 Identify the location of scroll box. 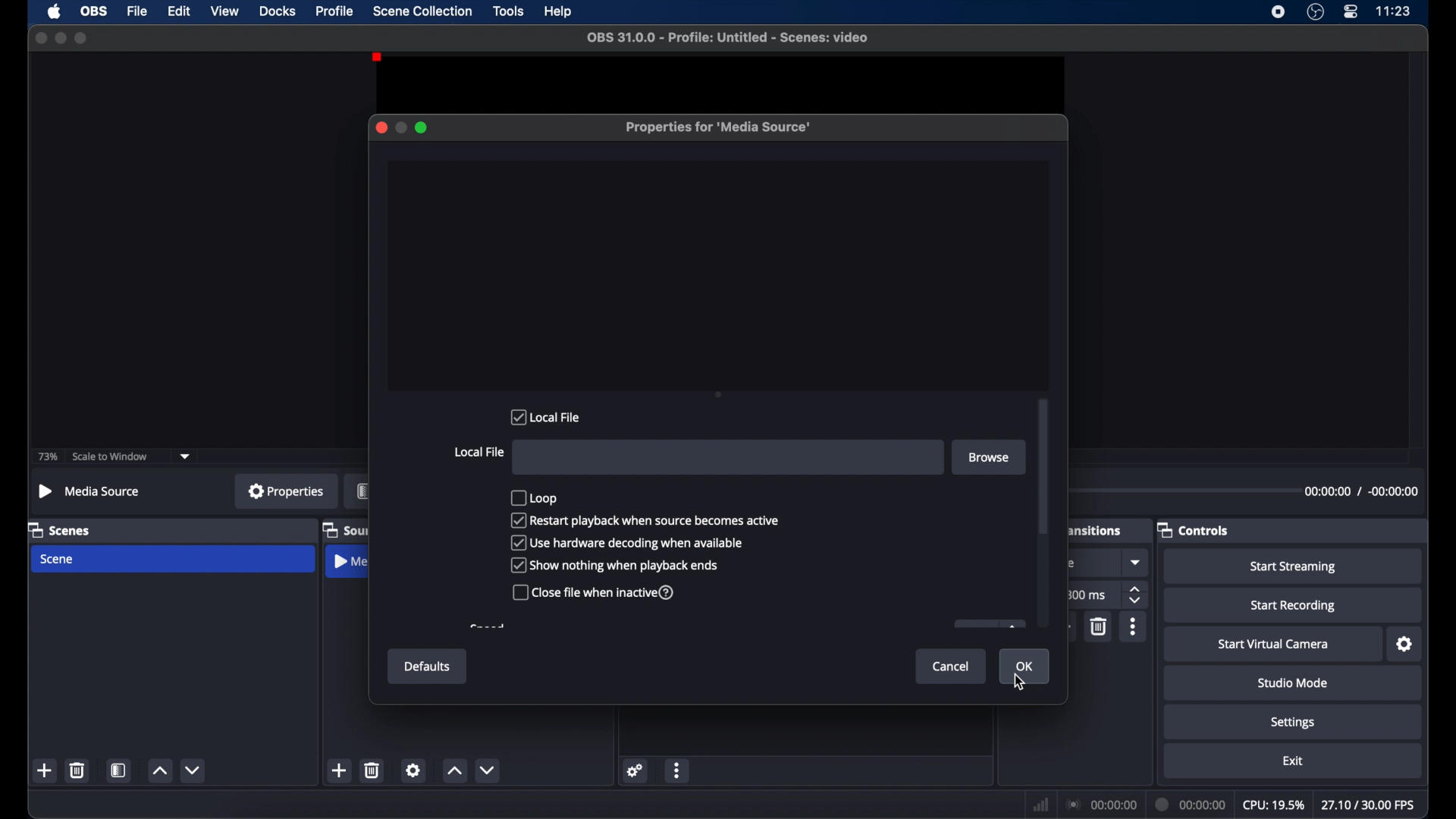
(1045, 468).